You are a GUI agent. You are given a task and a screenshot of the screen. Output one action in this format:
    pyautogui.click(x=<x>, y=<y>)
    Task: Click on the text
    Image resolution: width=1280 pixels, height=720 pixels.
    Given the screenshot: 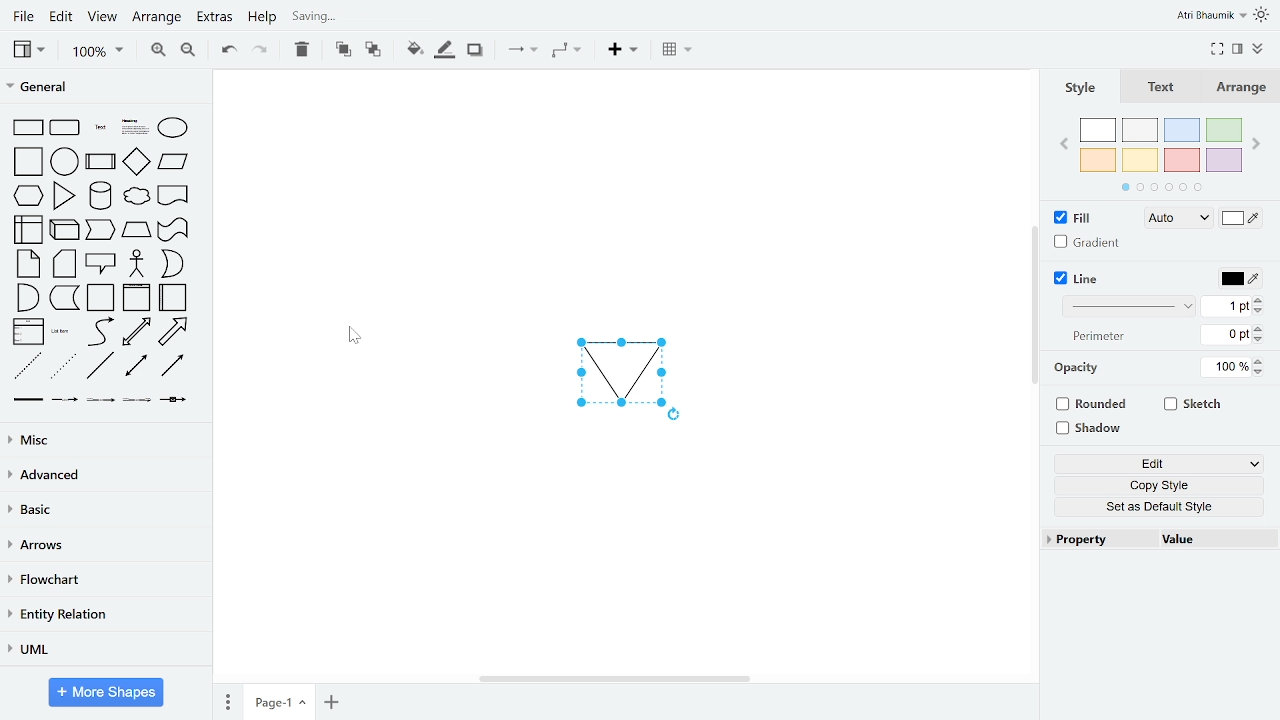 What is the action you would take?
    pyautogui.click(x=99, y=128)
    